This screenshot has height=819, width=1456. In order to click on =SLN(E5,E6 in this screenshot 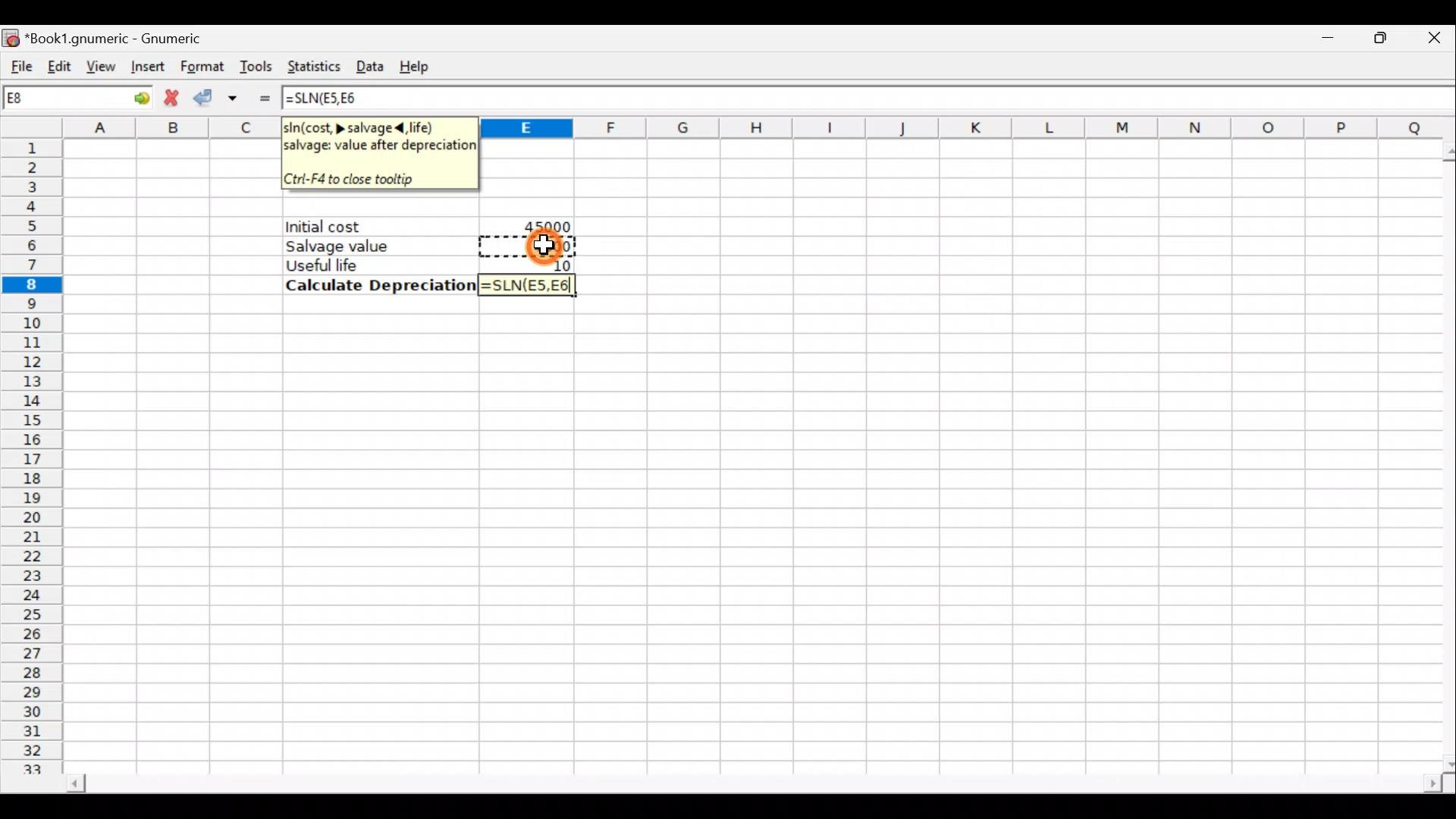, I will do `click(525, 287)`.